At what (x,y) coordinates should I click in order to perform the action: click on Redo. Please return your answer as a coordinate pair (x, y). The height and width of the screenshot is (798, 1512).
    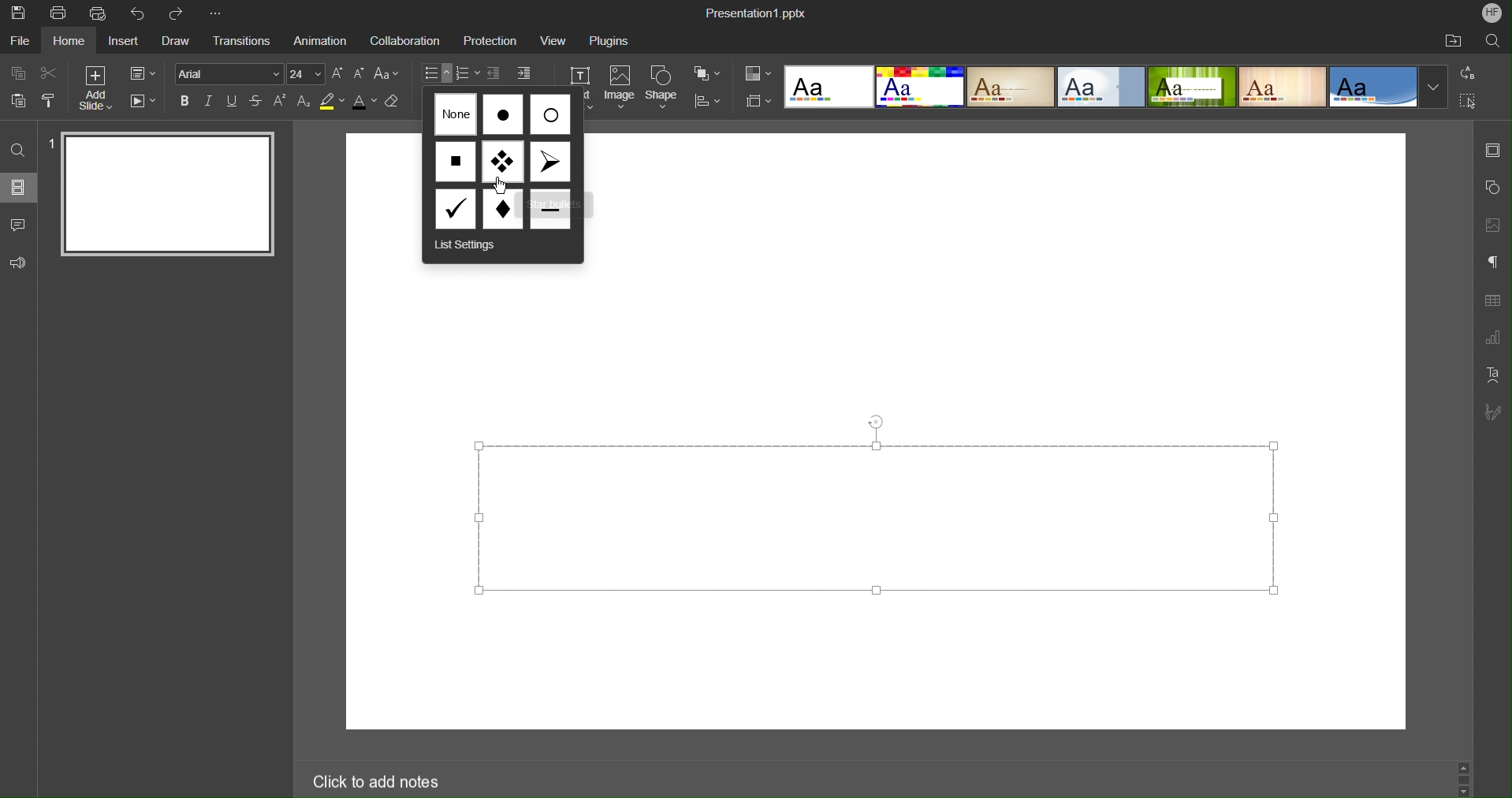
    Looking at the image, I should click on (179, 13).